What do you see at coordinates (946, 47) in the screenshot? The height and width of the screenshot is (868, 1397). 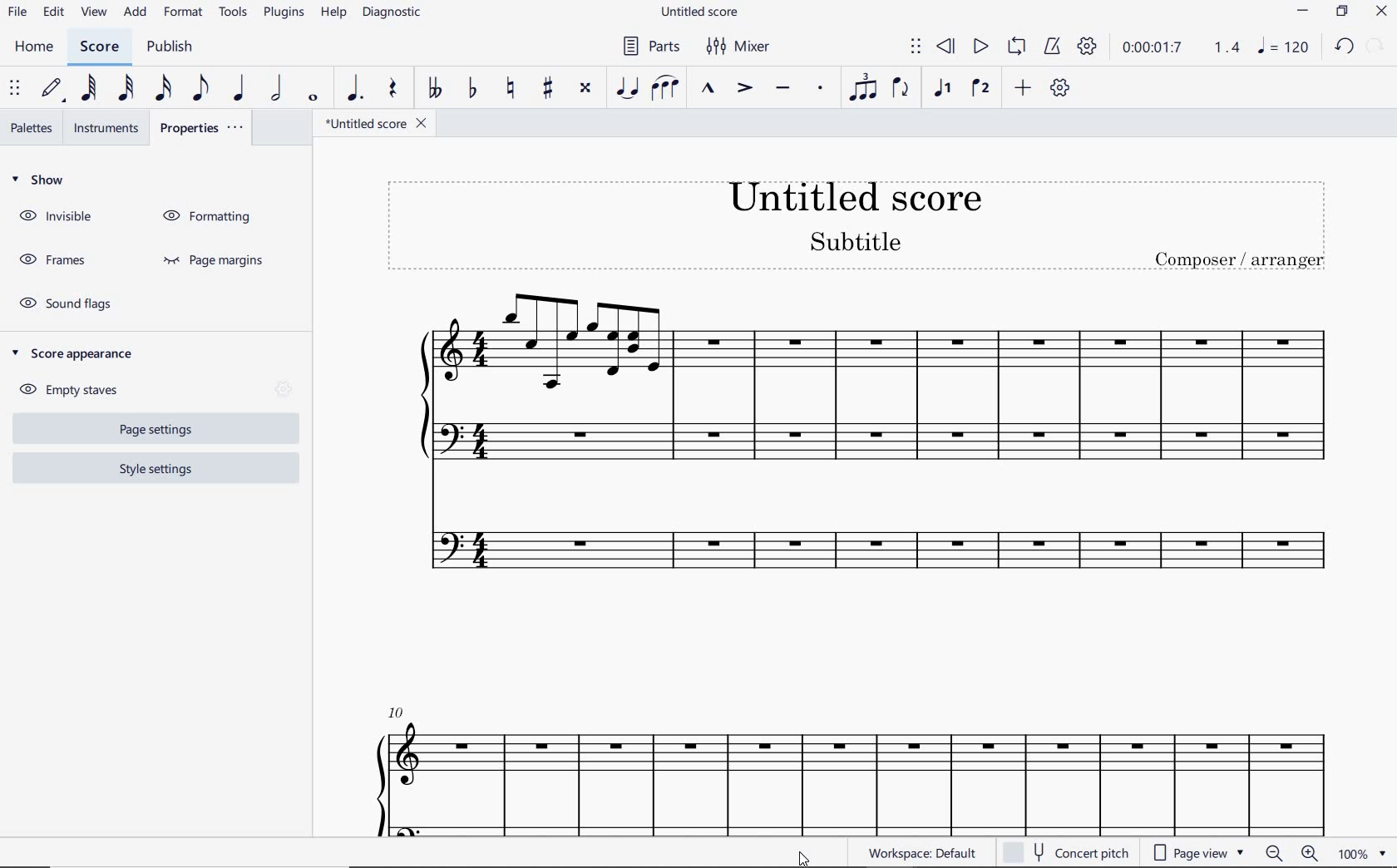 I see `REWIND` at bounding box center [946, 47].